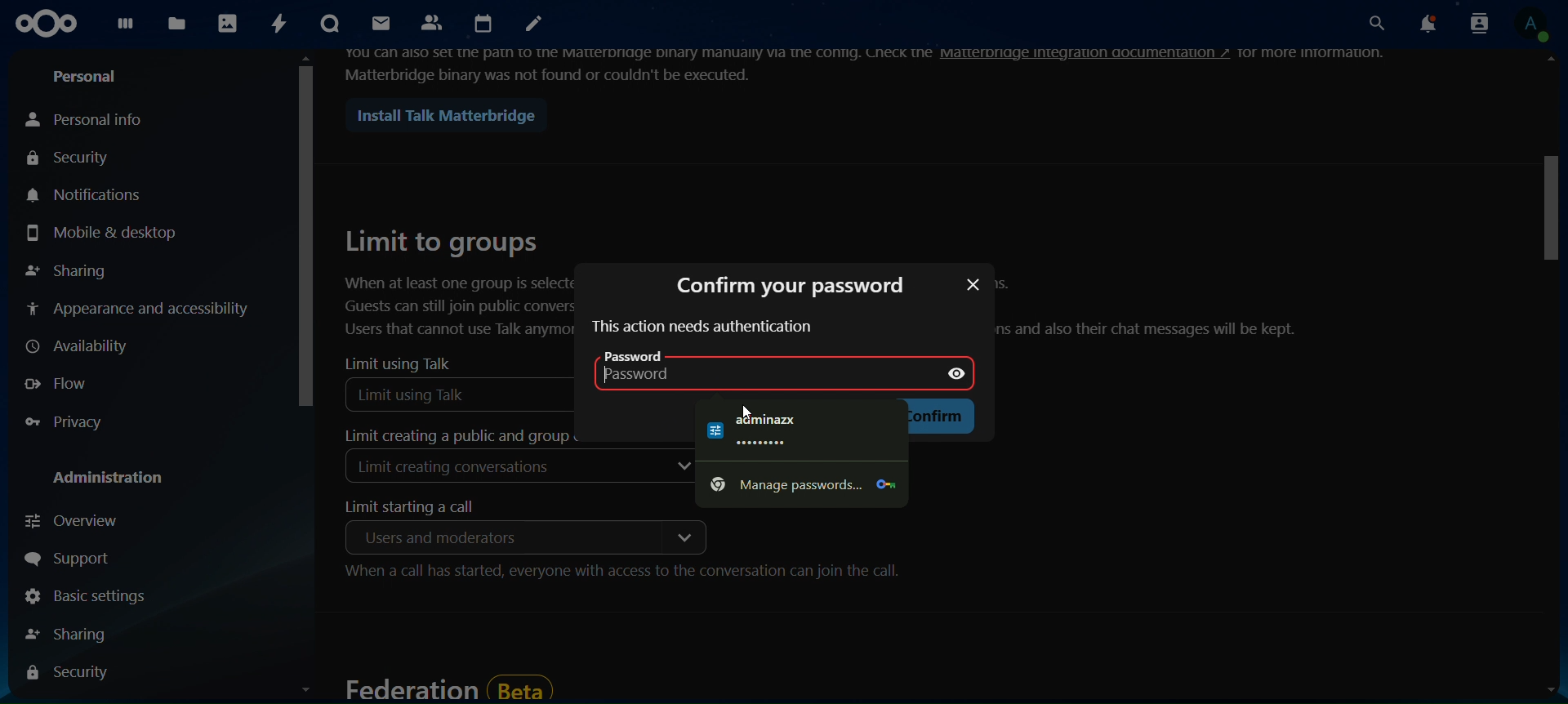 The width and height of the screenshot is (1568, 704). I want to click on scroll bar, so click(307, 381).